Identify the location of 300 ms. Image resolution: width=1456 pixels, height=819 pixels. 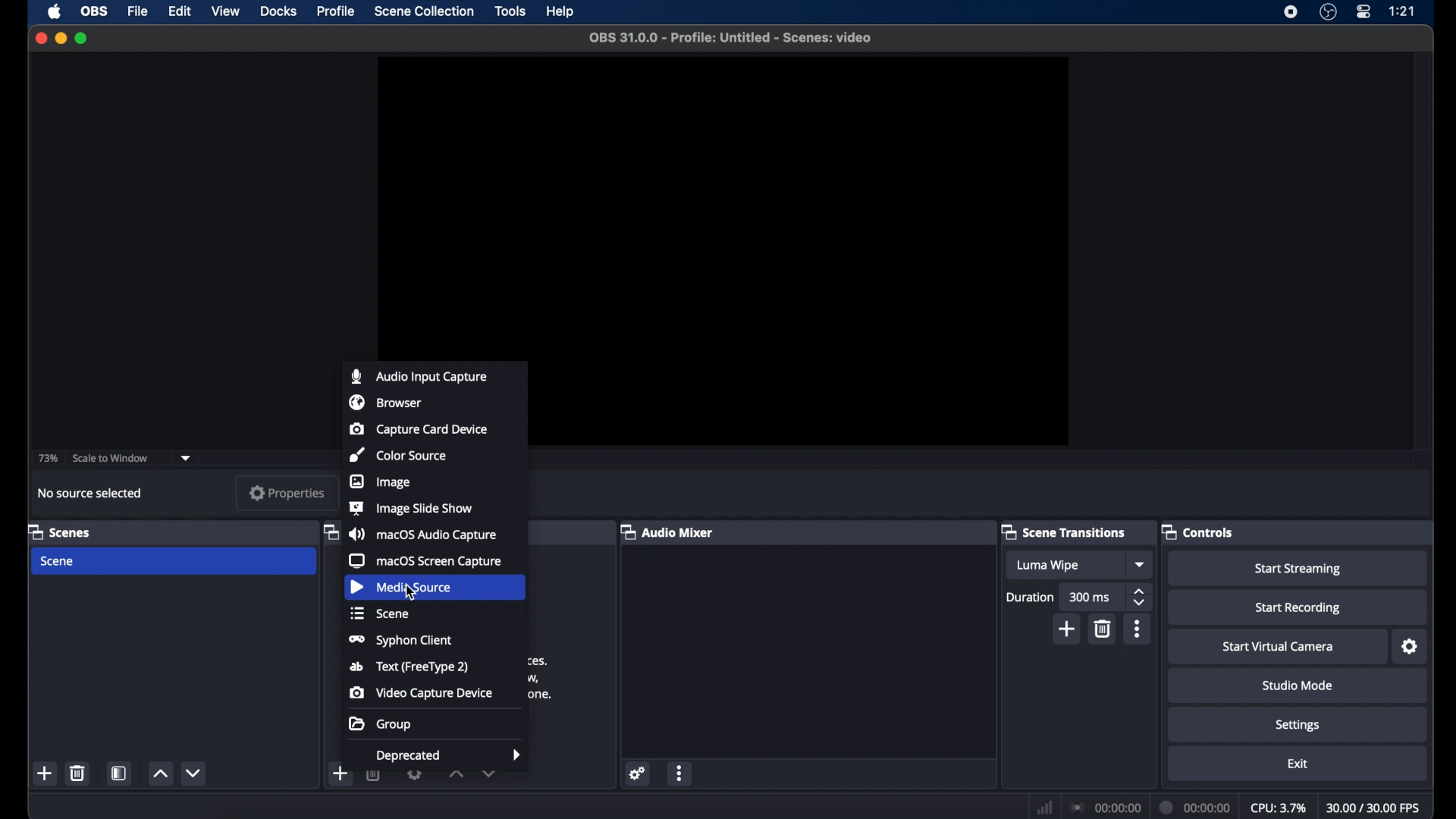
(1090, 597).